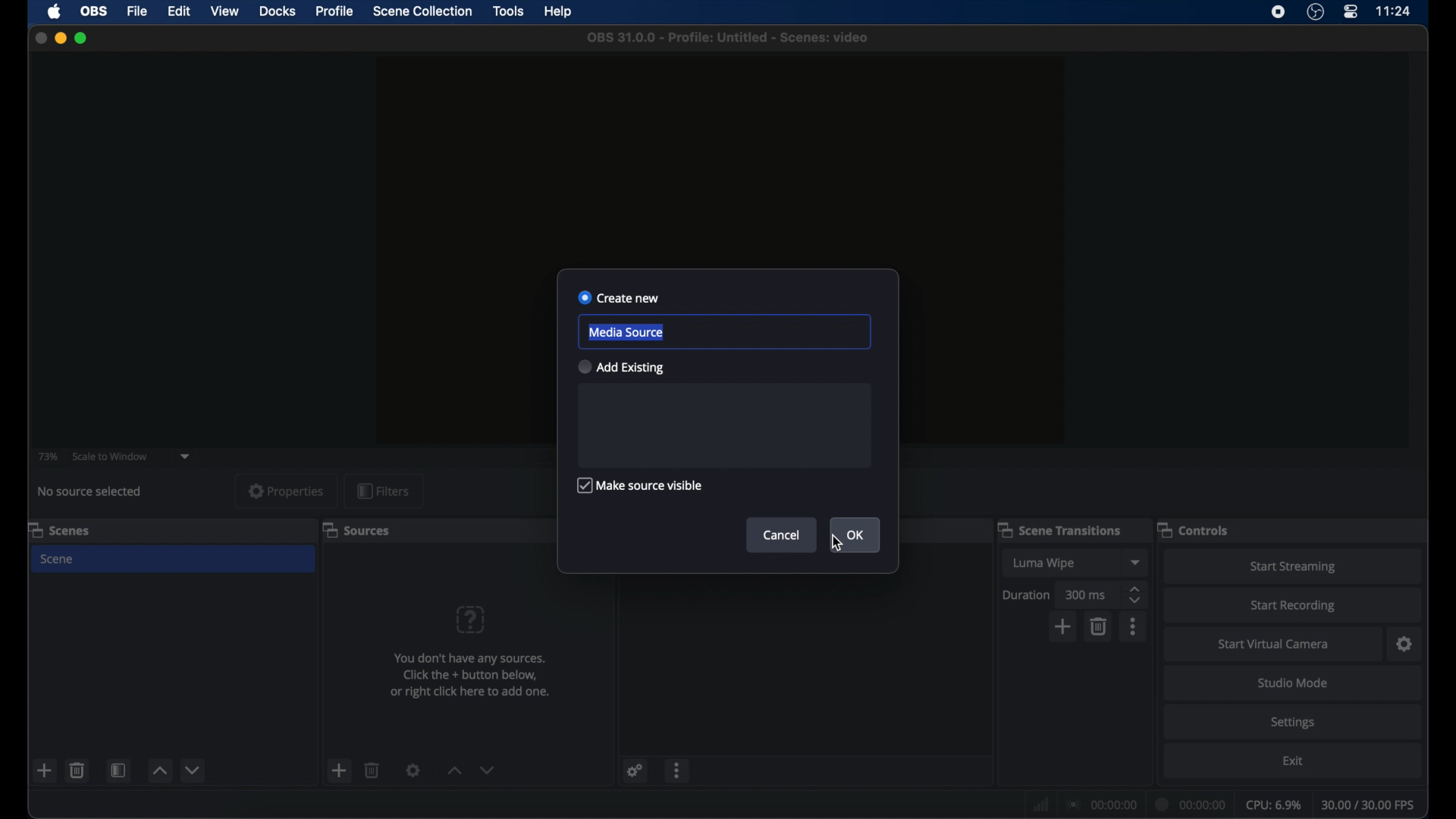 This screenshot has width=1456, height=819. What do you see at coordinates (1086, 595) in the screenshot?
I see `300 ms` at bounding box center [1086, 595].